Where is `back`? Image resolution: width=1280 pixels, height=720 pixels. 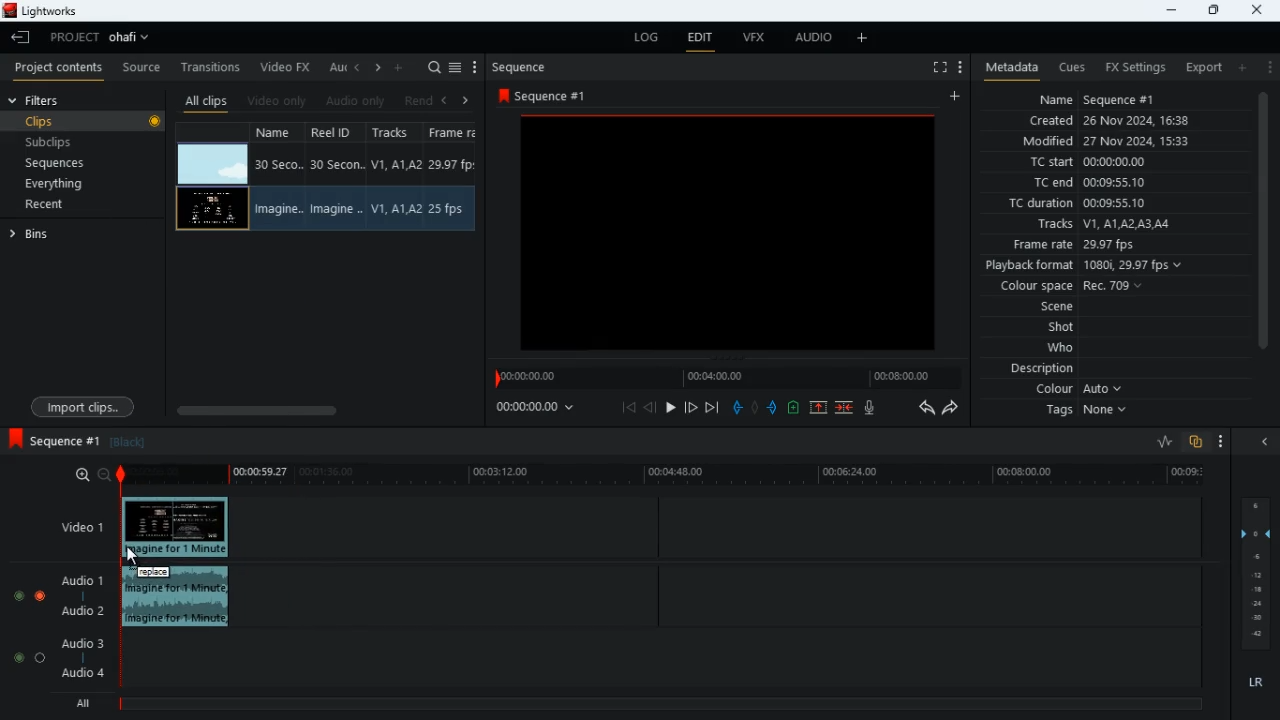
back is located at coordinates (651, 408).